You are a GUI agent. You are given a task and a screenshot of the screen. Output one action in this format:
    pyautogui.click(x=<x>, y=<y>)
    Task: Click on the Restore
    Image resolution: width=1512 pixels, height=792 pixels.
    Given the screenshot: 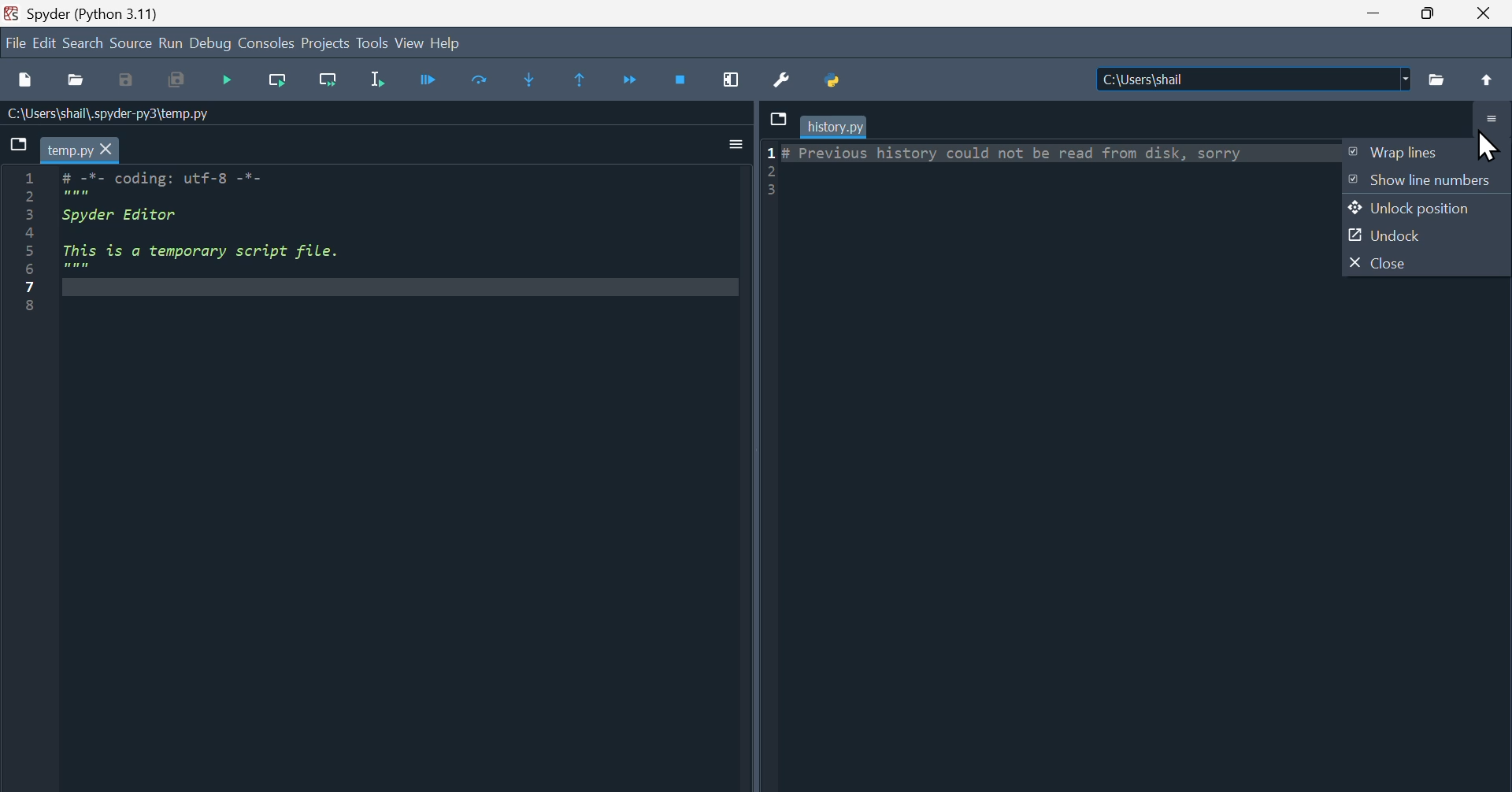 What is the action you would take?
    pyautogui.click(x=1426, y=15)
    